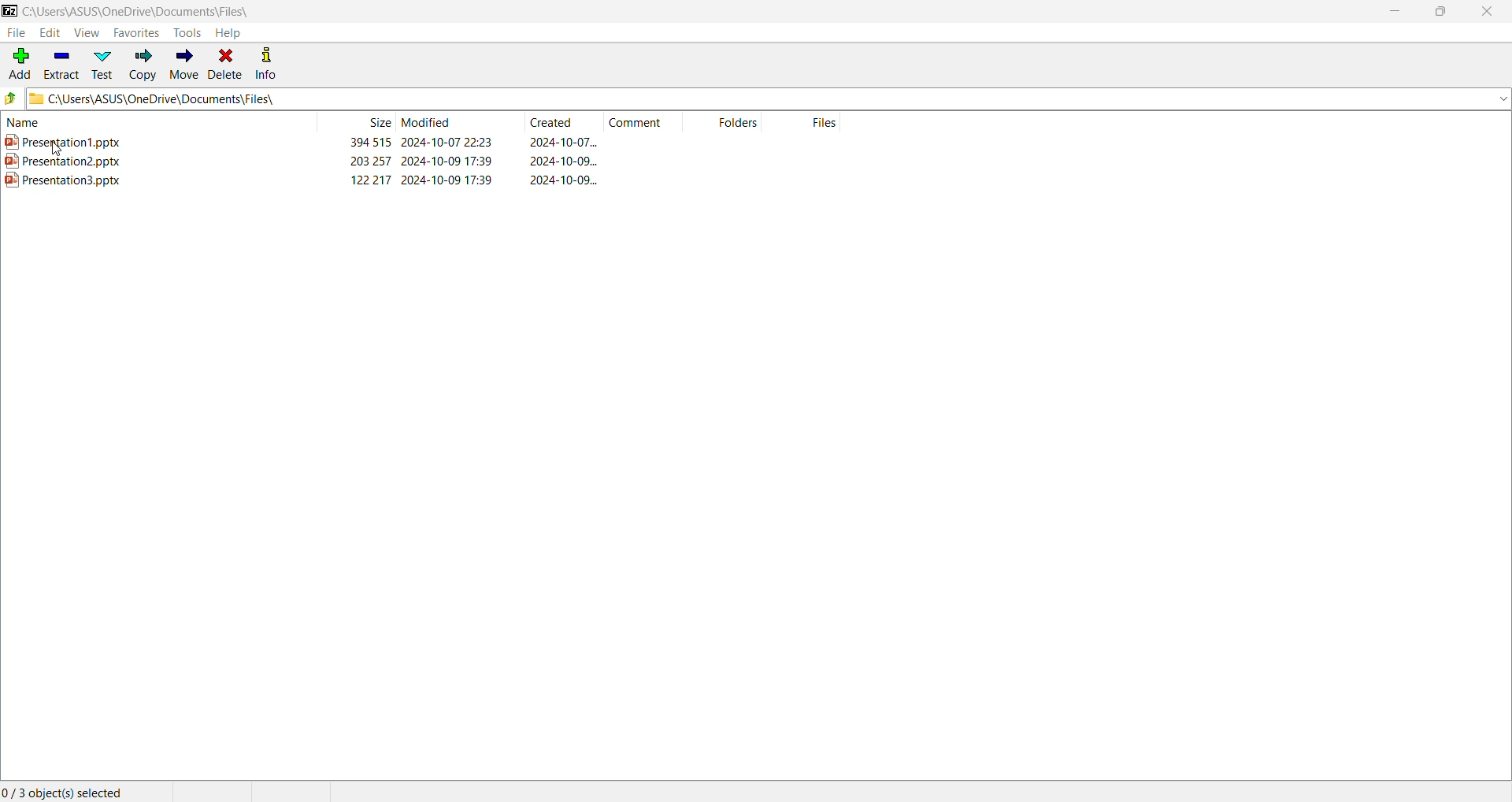 The width and height of the screenshot is (1512, 802). Describe the element at coordinates (103, 64) in the screenshot. I see `Test` at that location.